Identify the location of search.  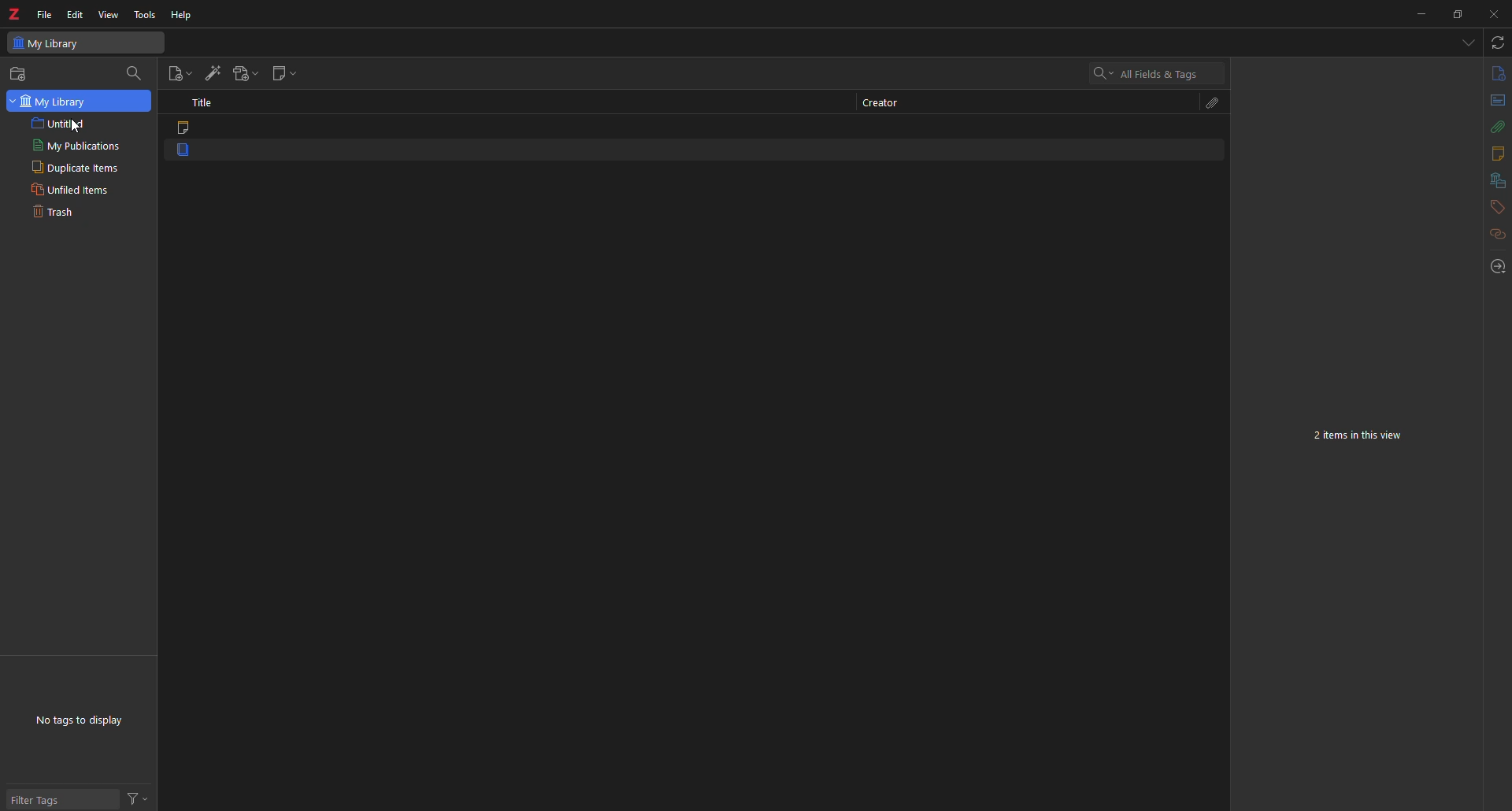
(138, 72).